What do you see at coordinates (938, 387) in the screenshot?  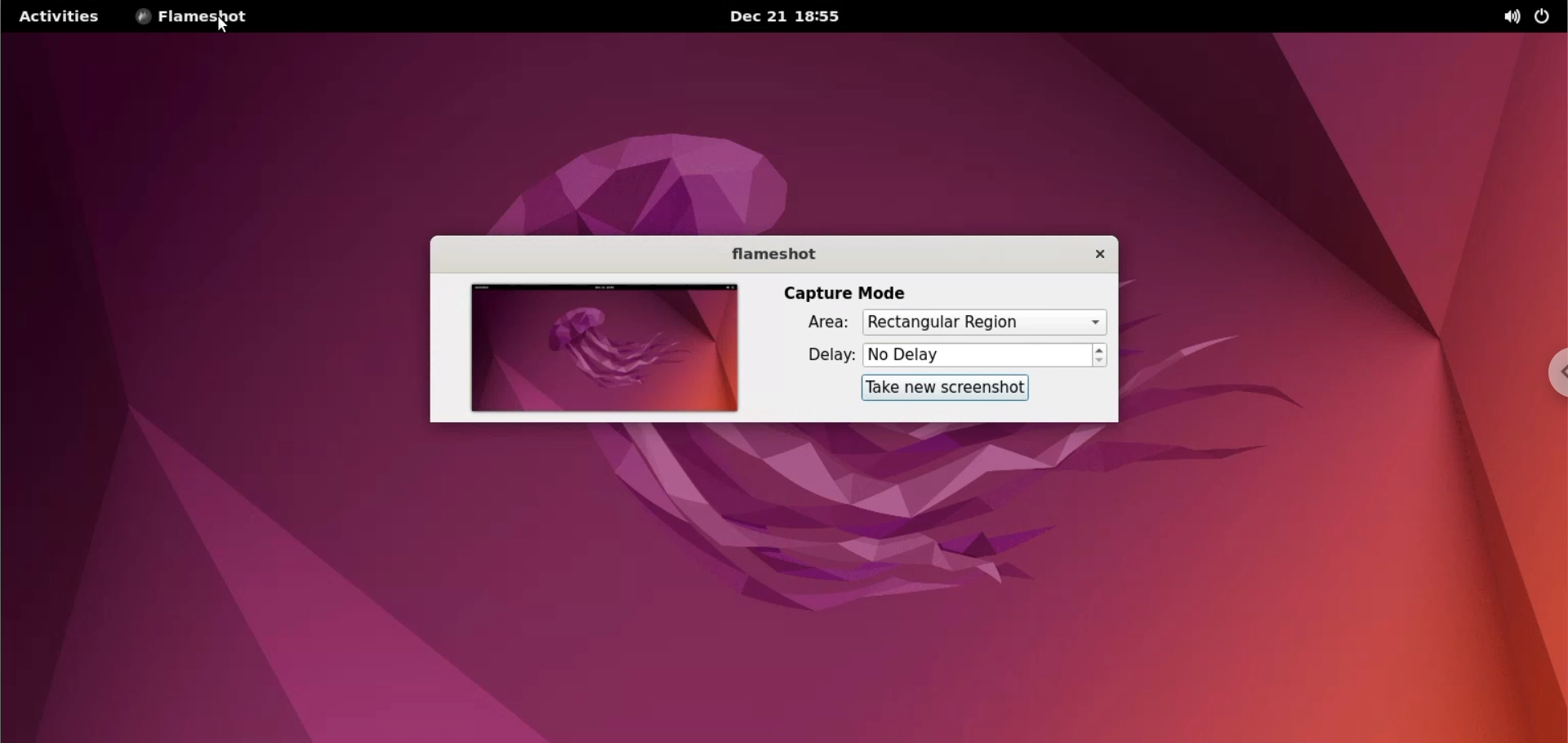 I see `take new screenshot` at bounding box center [938, 387].